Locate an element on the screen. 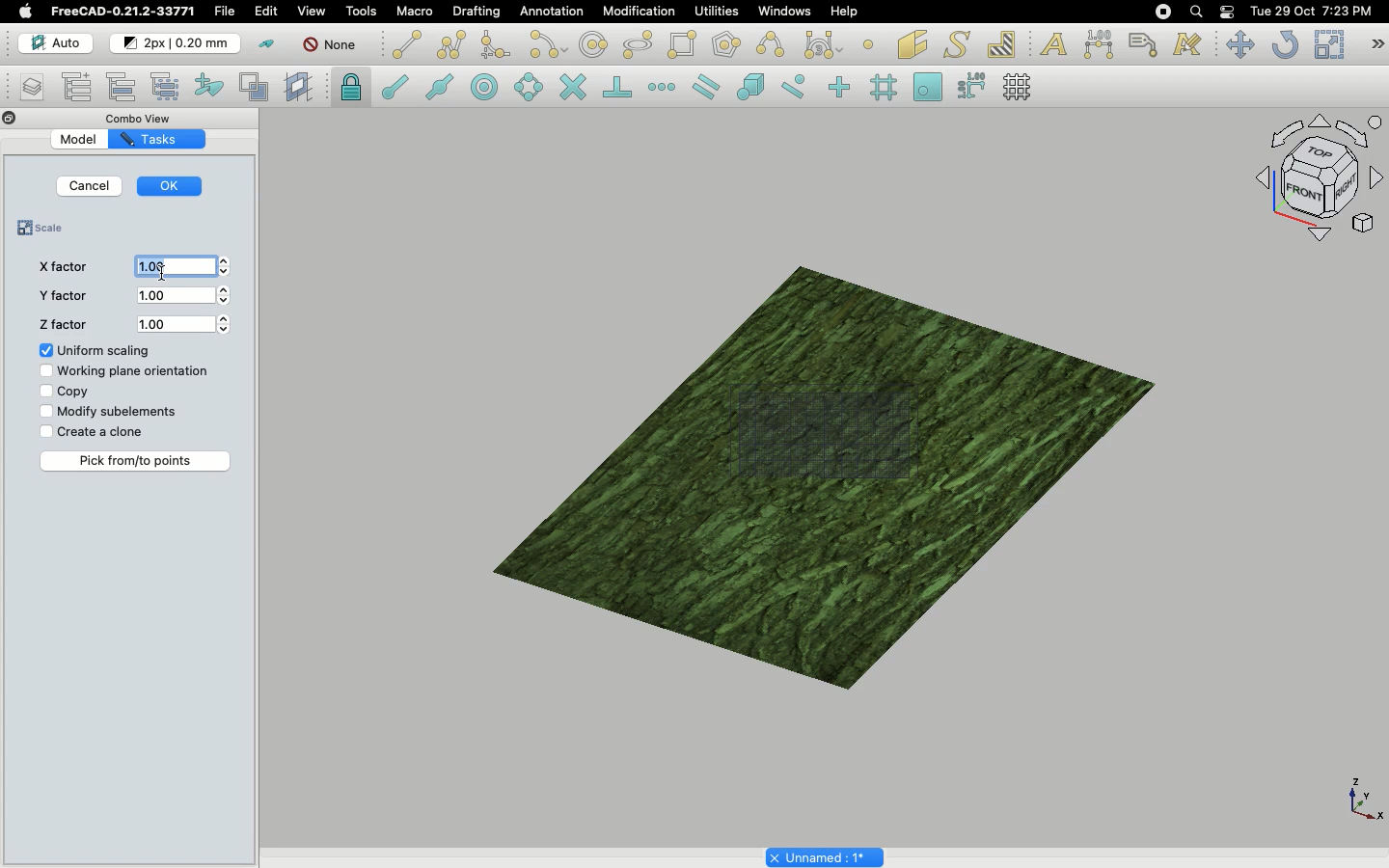  Create a clone is located at coordinates (92, 431).